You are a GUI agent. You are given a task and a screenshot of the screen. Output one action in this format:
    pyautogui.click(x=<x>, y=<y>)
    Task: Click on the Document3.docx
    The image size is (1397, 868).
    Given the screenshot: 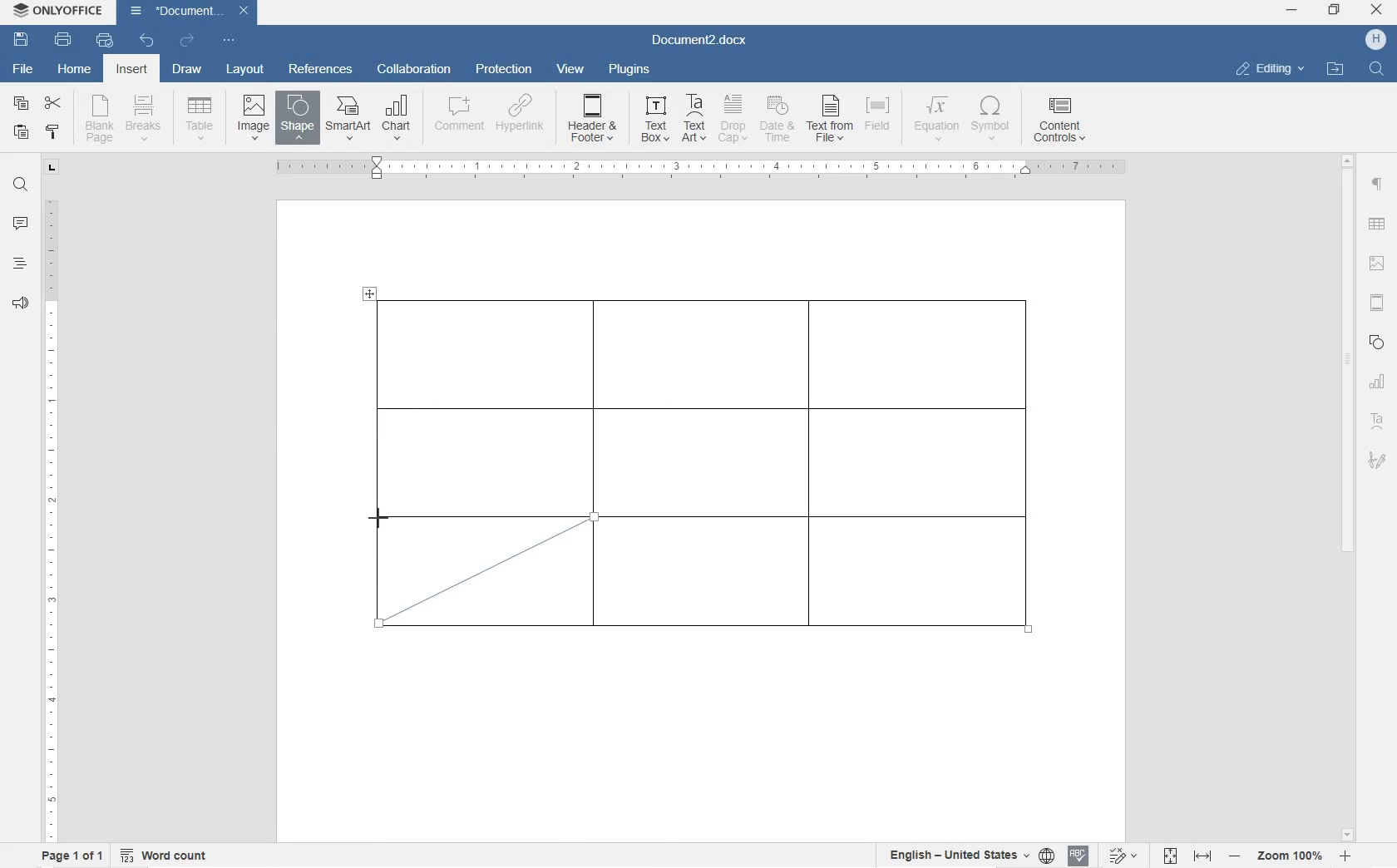 What is the action you would take?
    pyautogui.click(x=189, y=12)
    